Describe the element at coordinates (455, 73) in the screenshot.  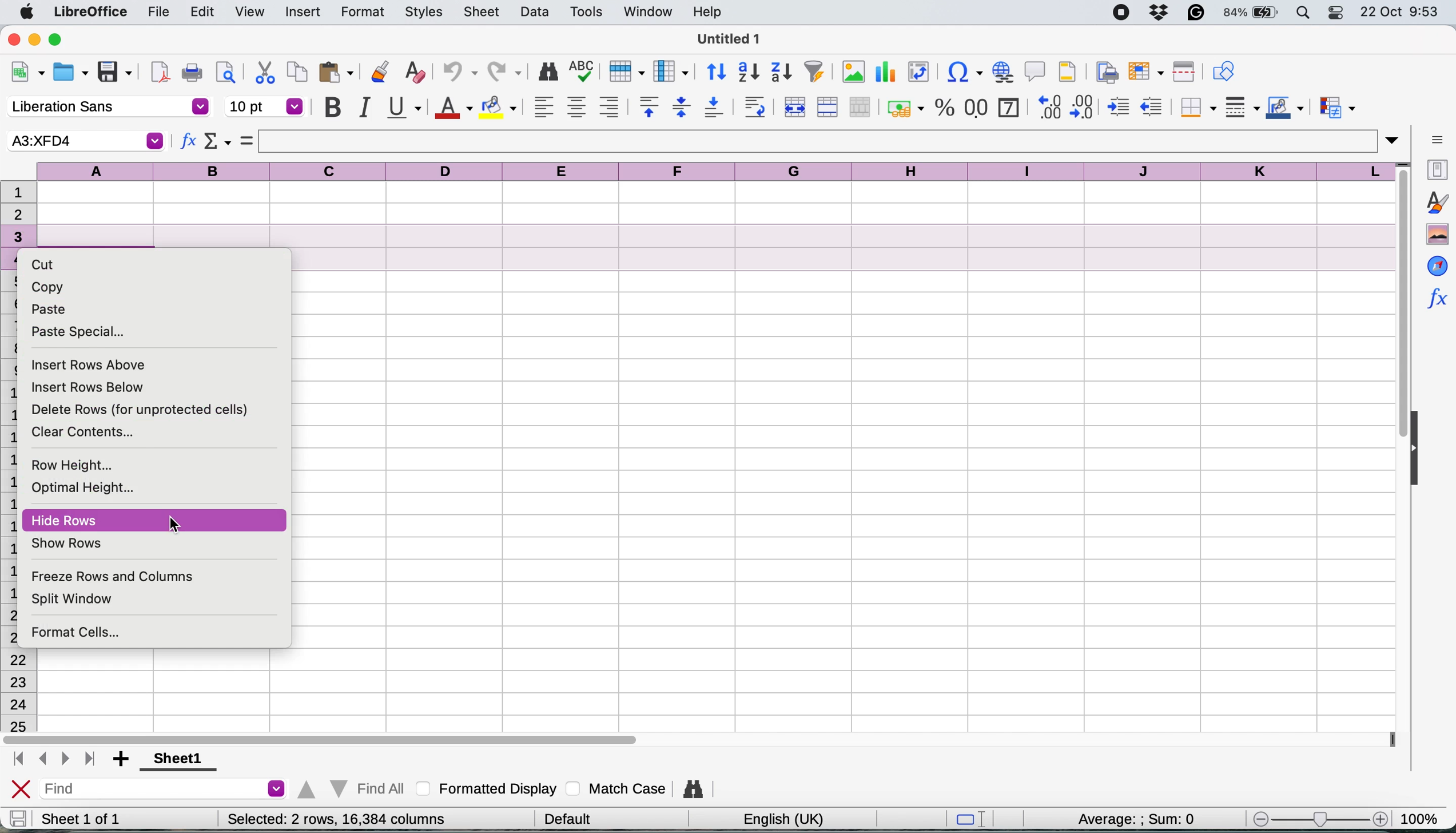
I see `undo` at that location.